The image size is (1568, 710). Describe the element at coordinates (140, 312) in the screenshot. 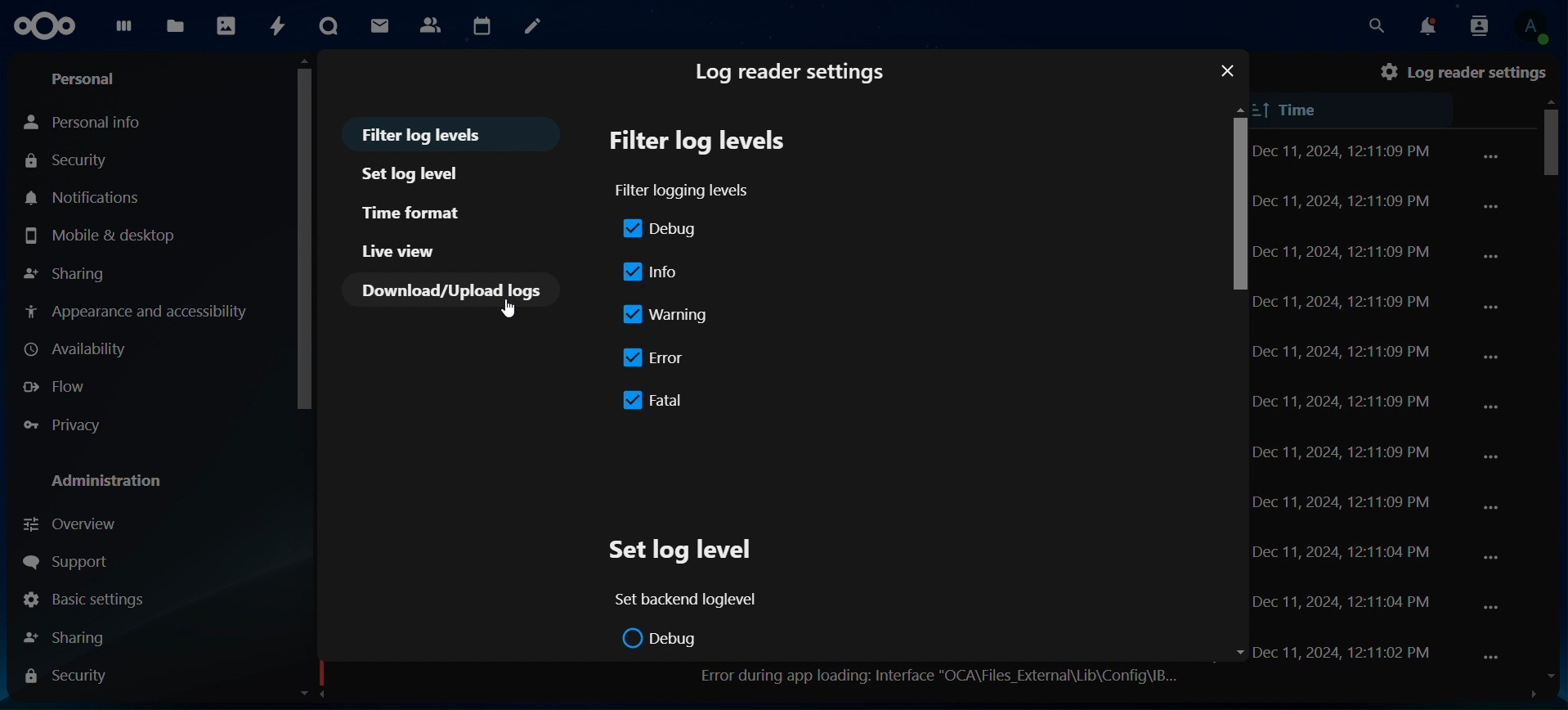

I see `appearance and accessibilty` at that location.